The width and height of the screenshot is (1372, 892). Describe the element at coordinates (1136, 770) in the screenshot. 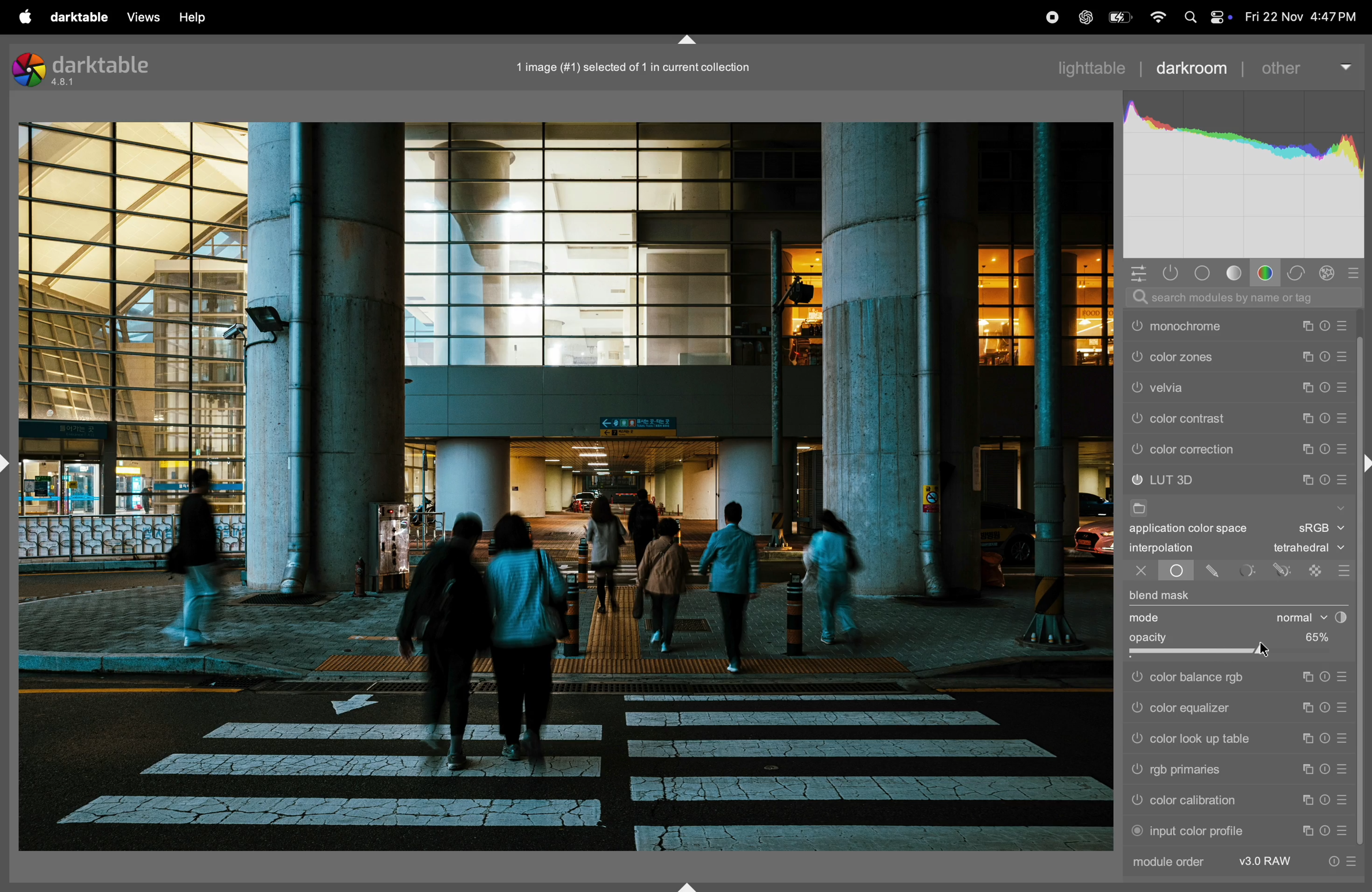

I see `rgb primaries switched off` at that location.